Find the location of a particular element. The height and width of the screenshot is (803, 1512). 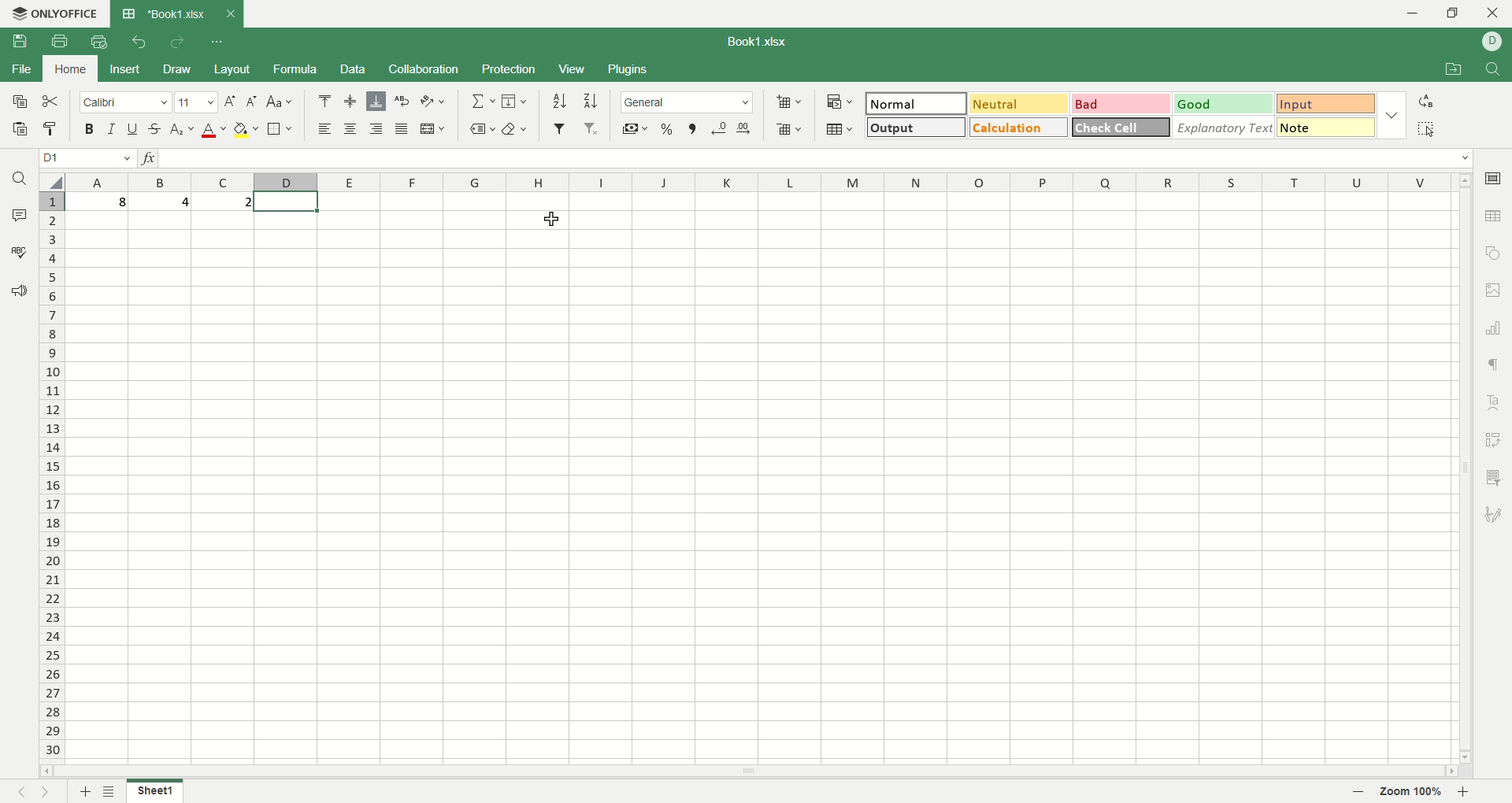

zoom out is located at coordinates (1359, 792).